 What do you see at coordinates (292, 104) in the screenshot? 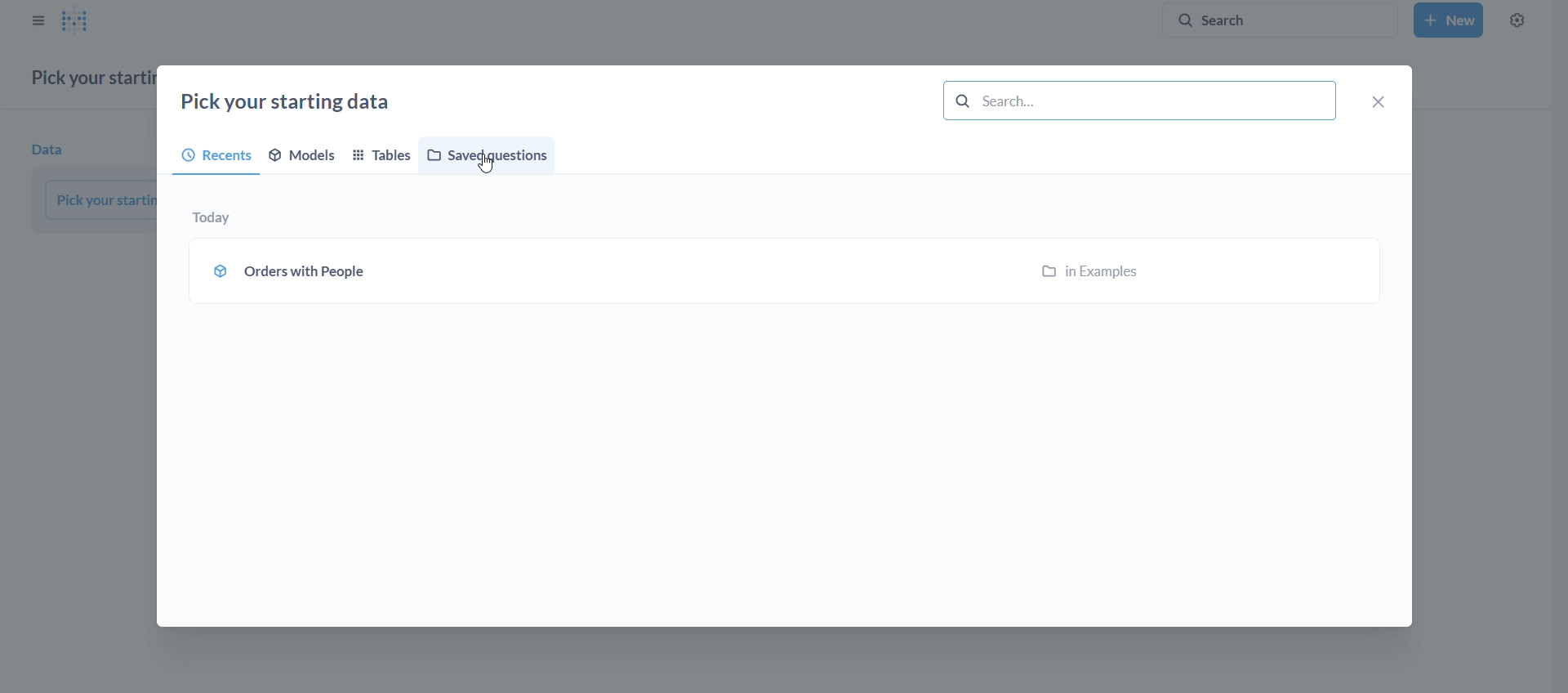
I see `pick your starting data` at bounding box center [292, 104].